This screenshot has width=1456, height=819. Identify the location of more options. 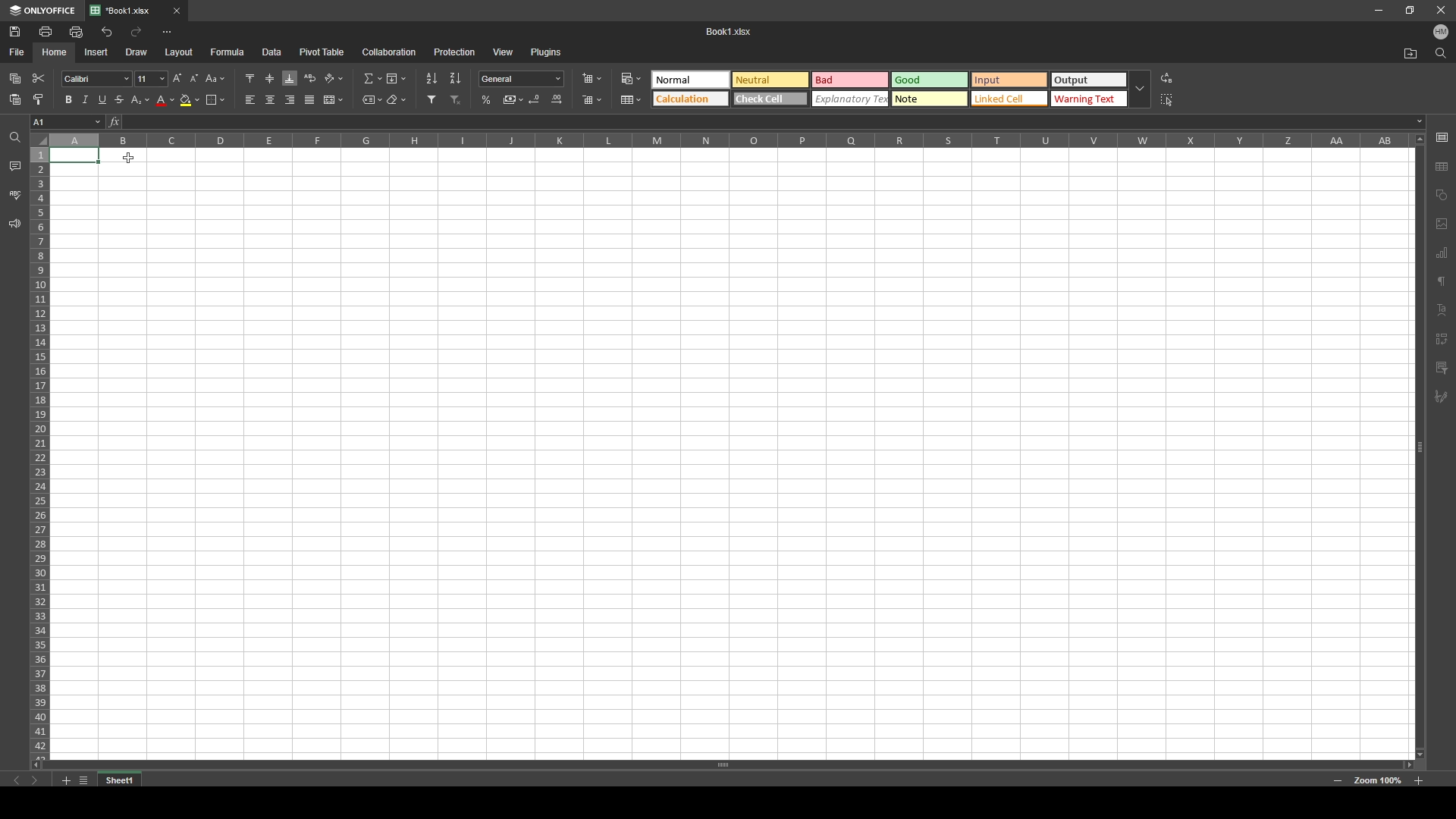
(168, 33).